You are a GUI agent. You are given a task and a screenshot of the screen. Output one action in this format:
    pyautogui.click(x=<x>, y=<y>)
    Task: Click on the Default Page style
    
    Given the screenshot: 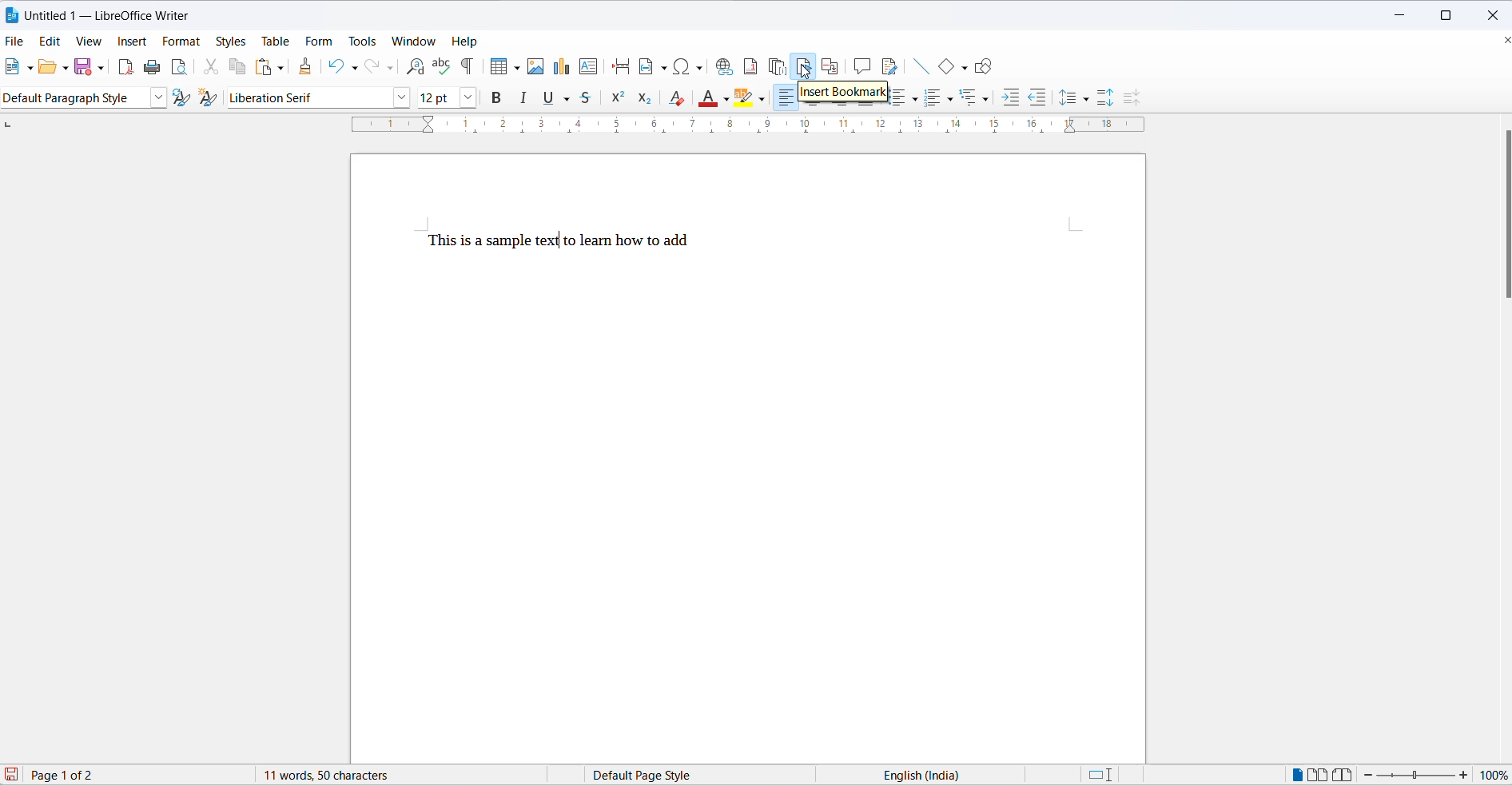 What is the action you would take?
    pyautogui.click(x=647, y=775)
    